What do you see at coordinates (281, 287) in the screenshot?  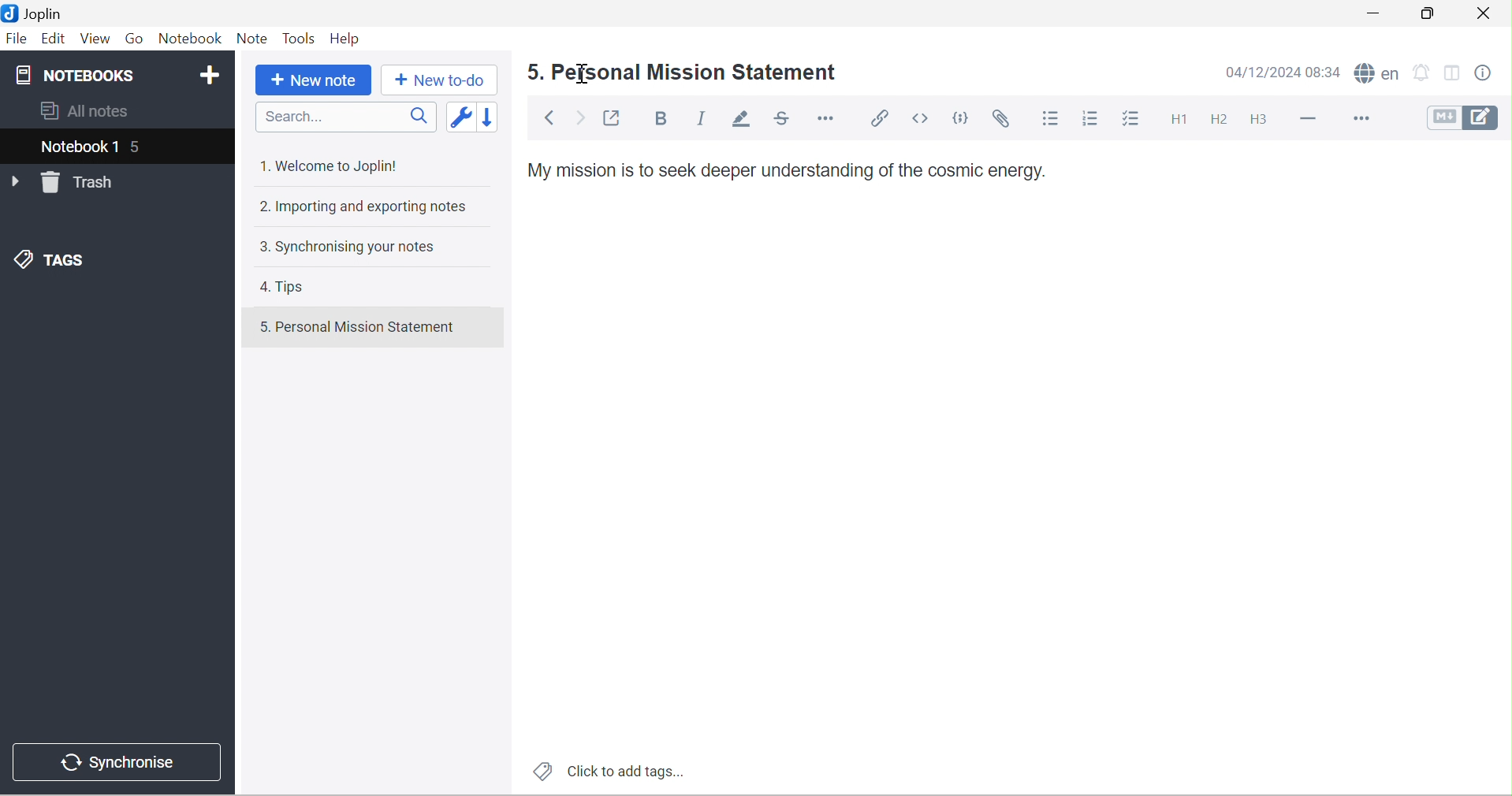 I see `4. Tips` at bounding box center [281, 287].